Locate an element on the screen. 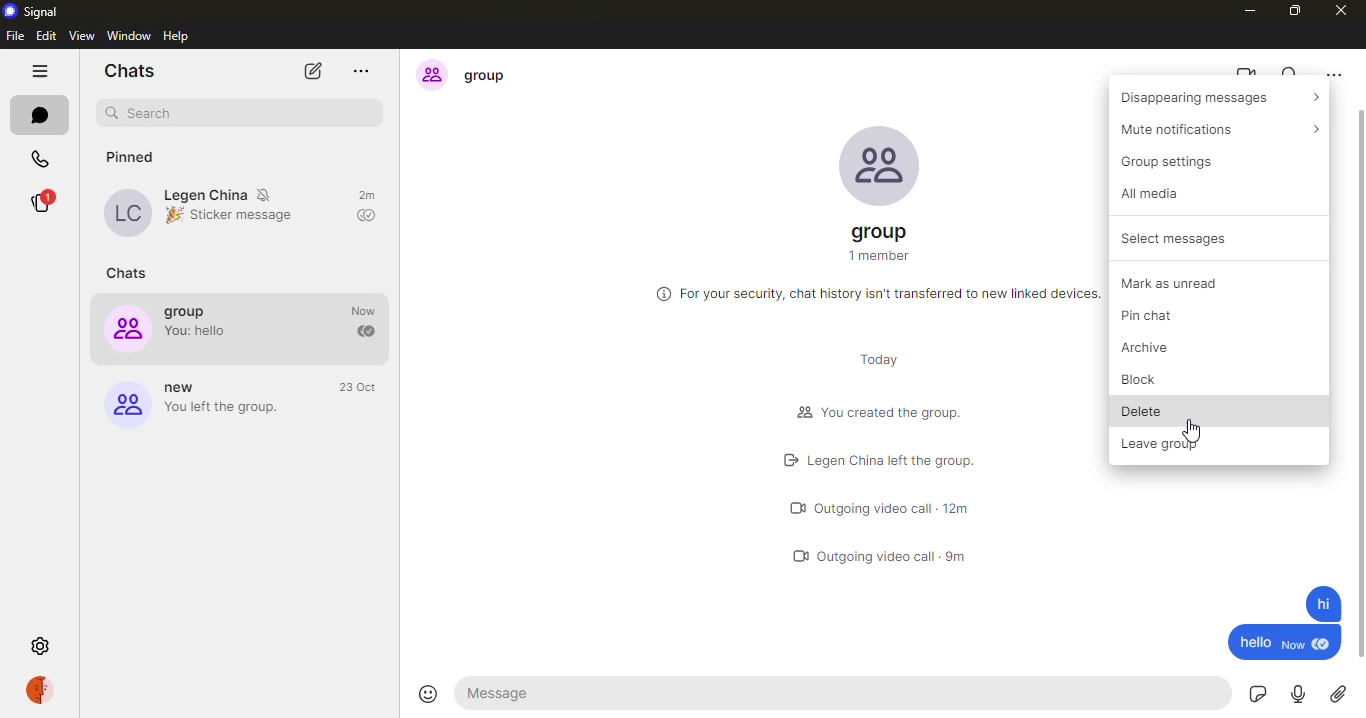  file is located at coordinates (15, 36).